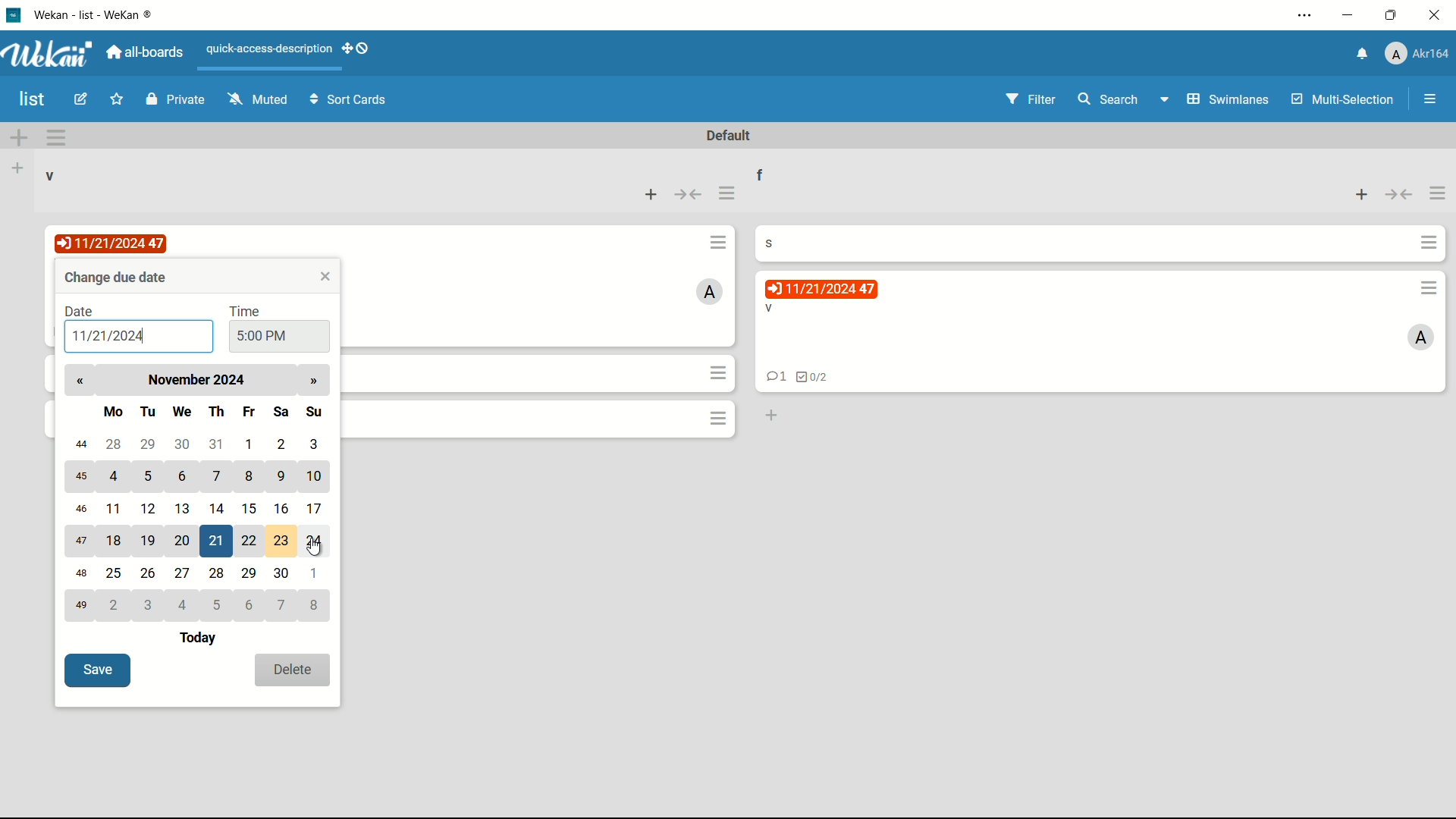  I want to click on checklist, so click(813, 378).